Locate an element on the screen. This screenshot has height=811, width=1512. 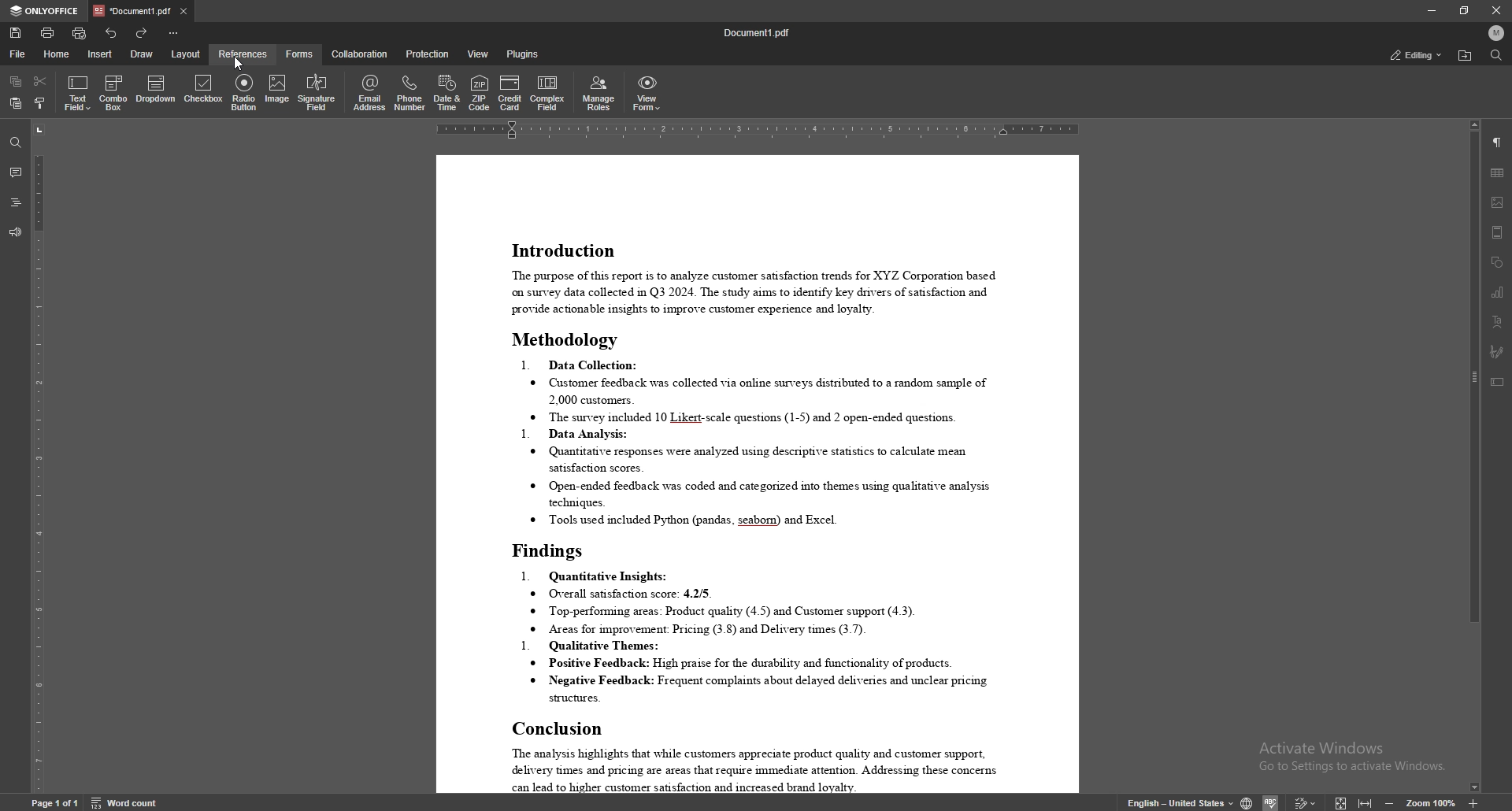
text field is located at coordinates (78, 92).